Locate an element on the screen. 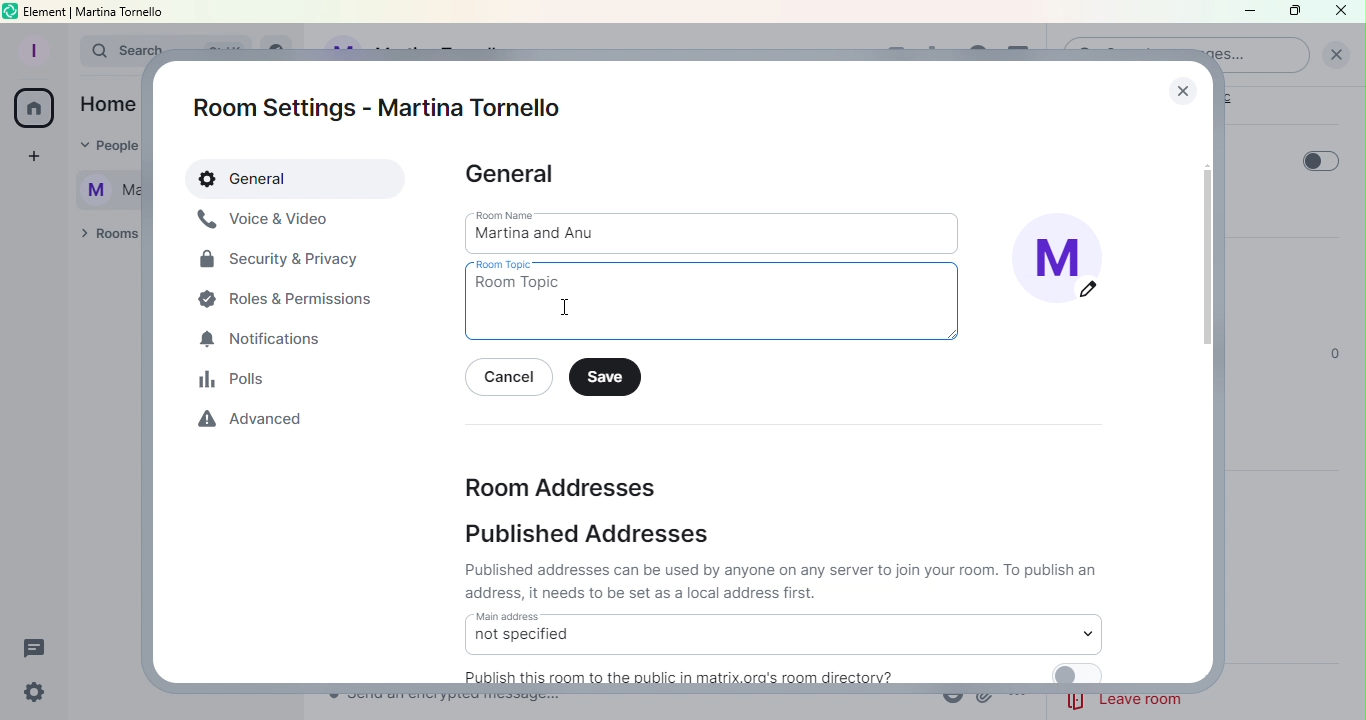  Polls is located at coordinates (239, 379).